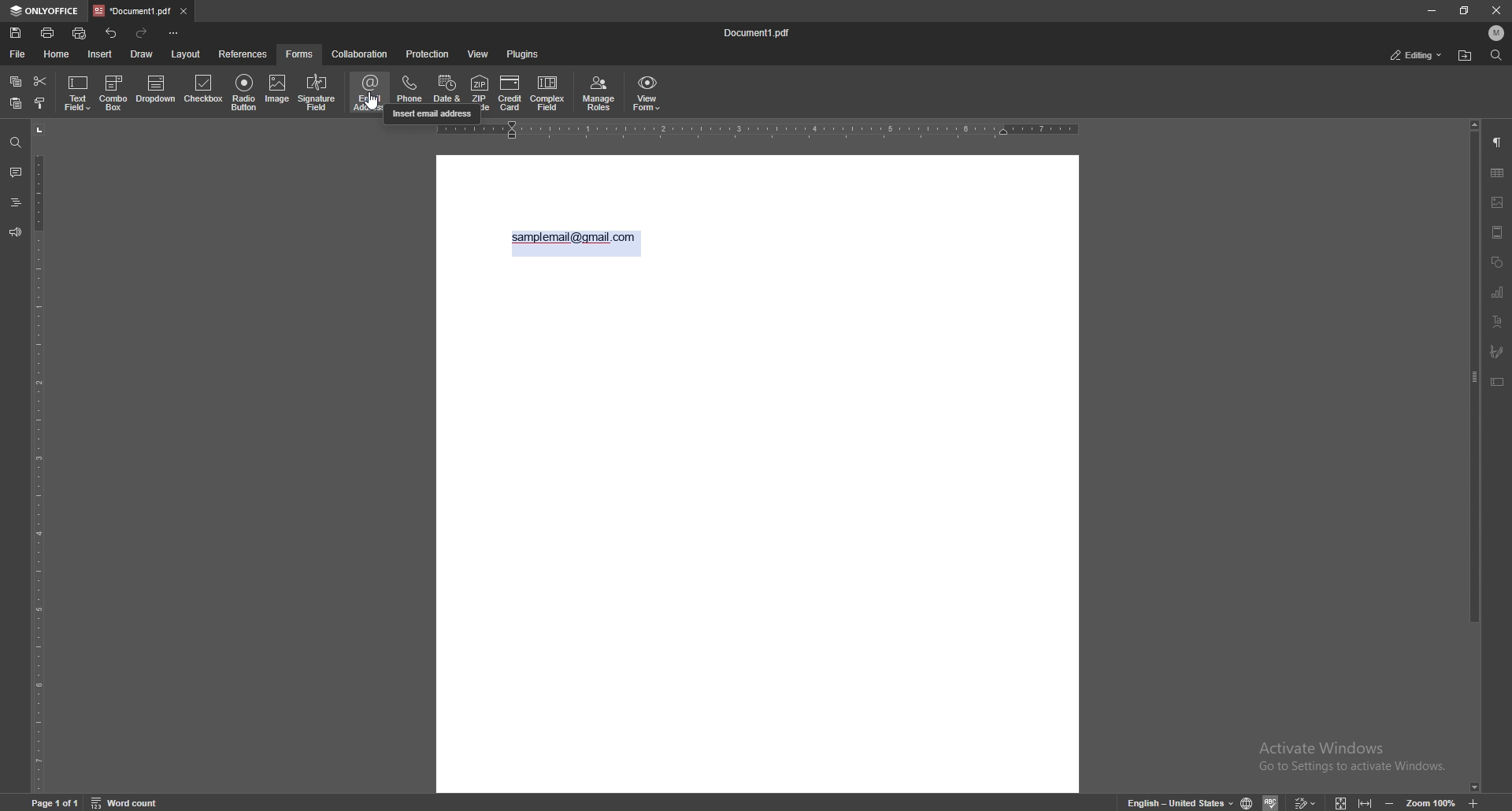  I want to click on image, so click(277, 91).